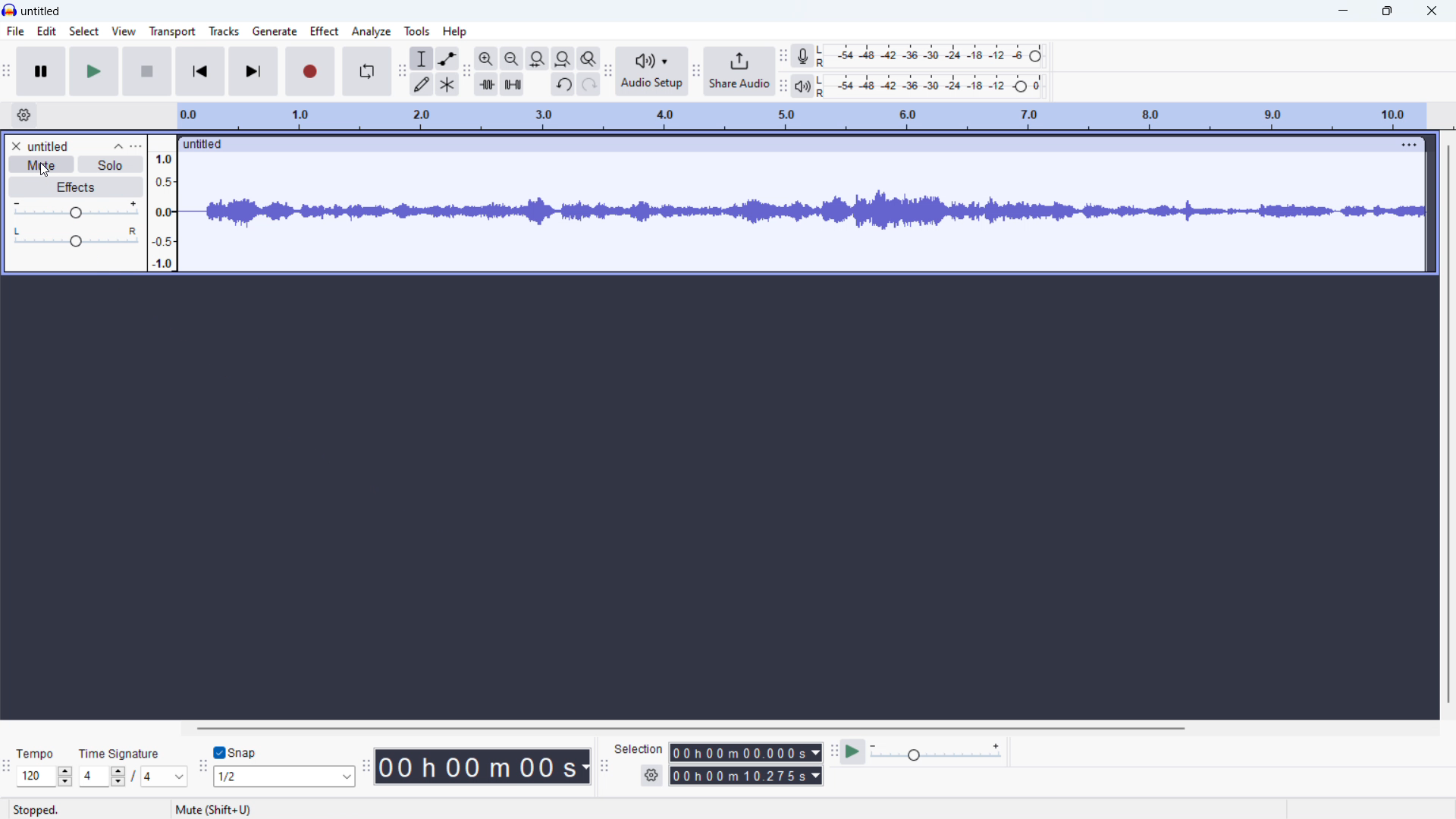 The height and width of the screenshot is (819, 1456). What do you see at coordinates (836, 753) in the screenshot?
I see `play at speed toolbar` at bounding box center [836, 753].